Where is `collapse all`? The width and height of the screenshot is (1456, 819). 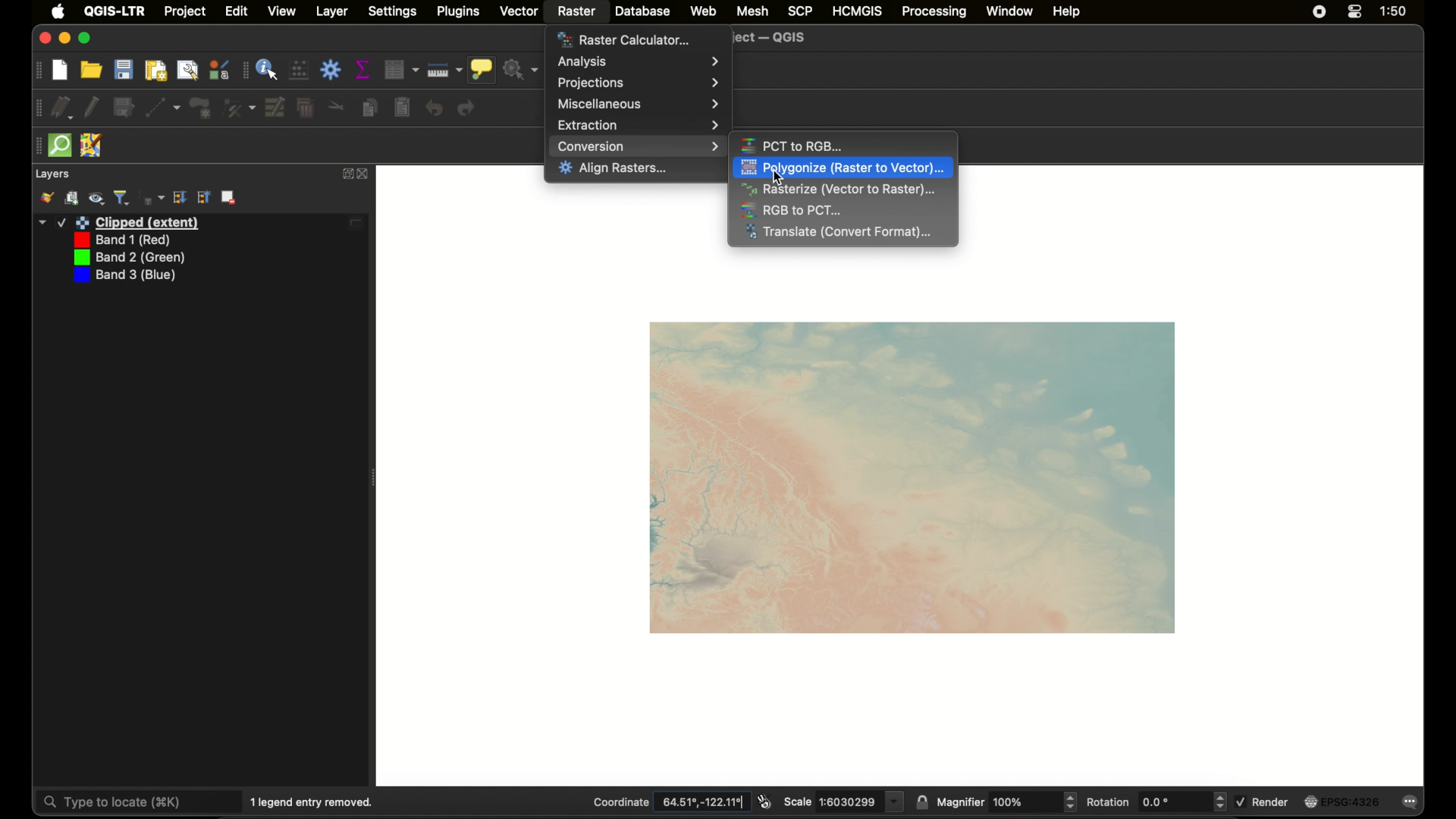 collapse all is located at coordinates (180, 197).